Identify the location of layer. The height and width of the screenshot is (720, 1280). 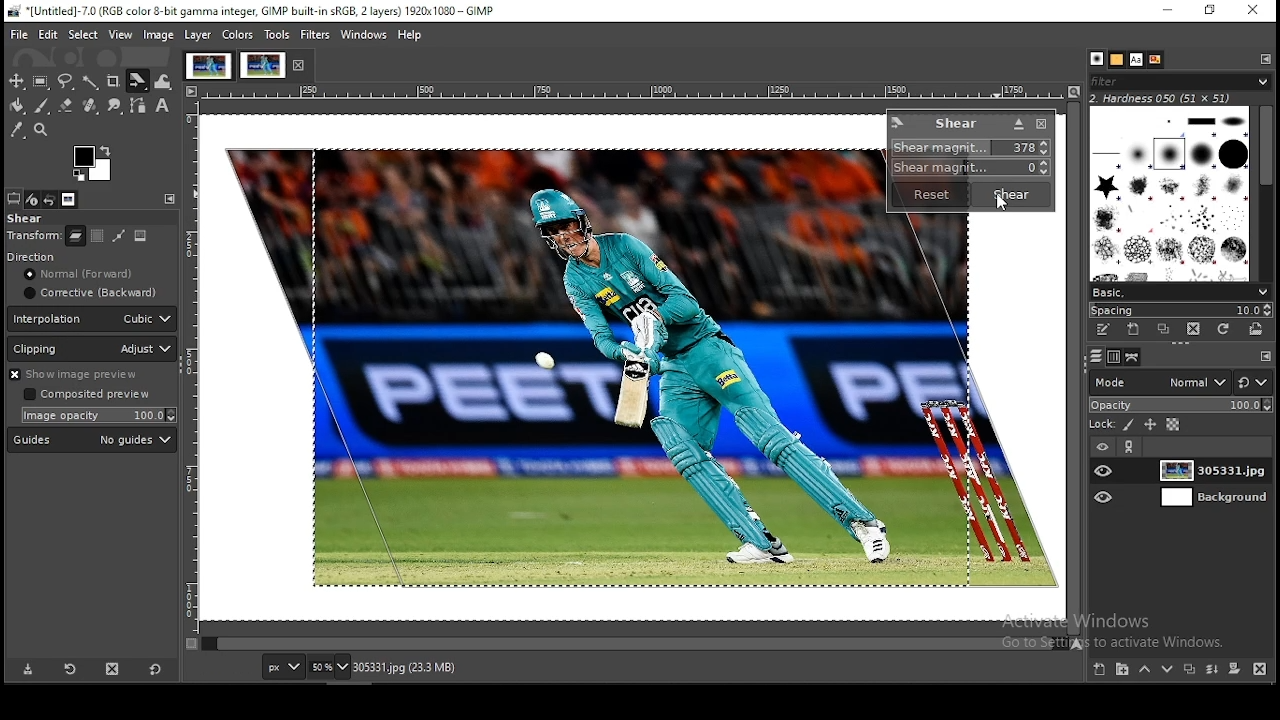
(197, 35).